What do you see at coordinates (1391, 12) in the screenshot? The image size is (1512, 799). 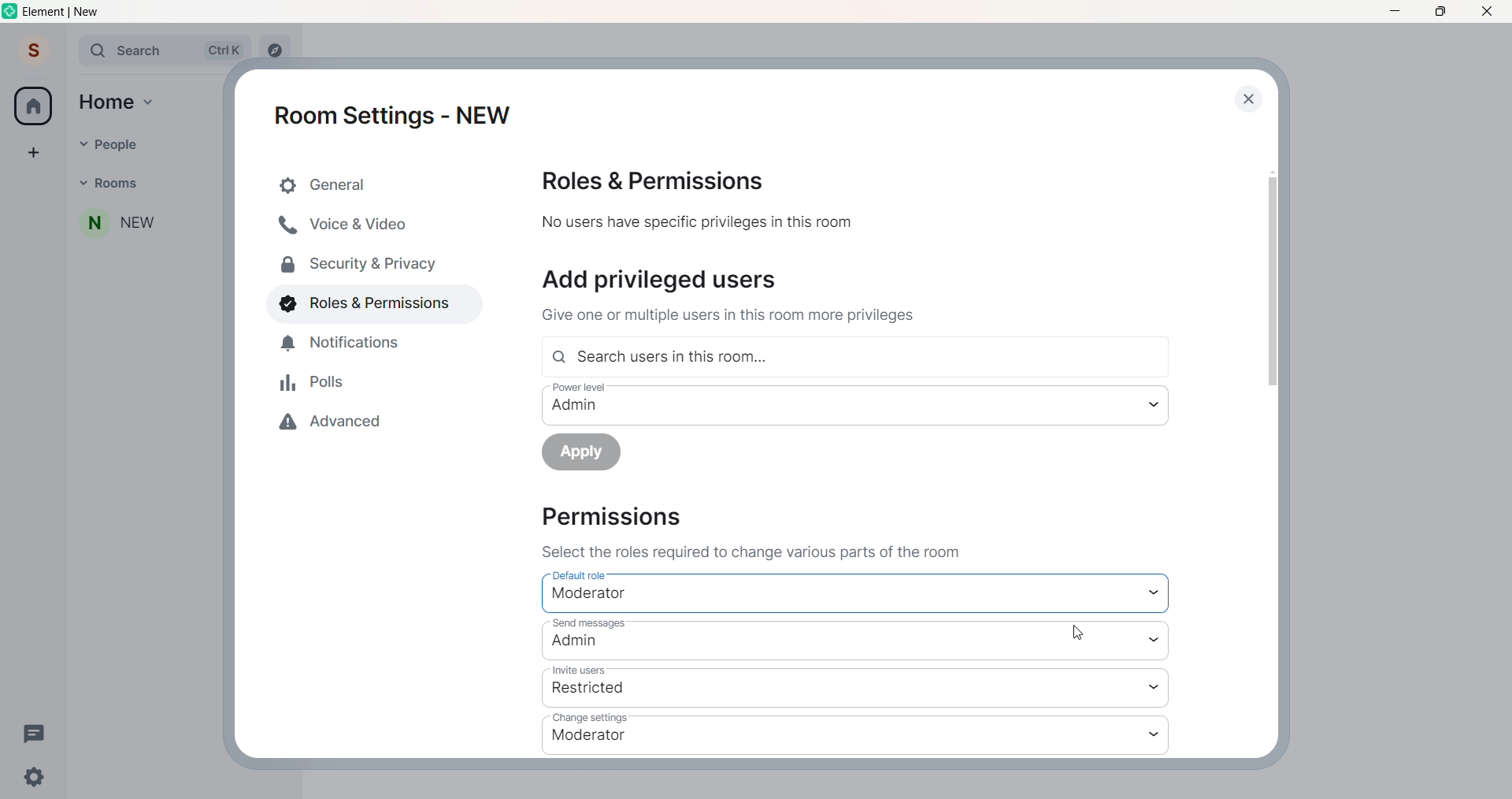 I see `minimize` at bounding box center [1391, 12].